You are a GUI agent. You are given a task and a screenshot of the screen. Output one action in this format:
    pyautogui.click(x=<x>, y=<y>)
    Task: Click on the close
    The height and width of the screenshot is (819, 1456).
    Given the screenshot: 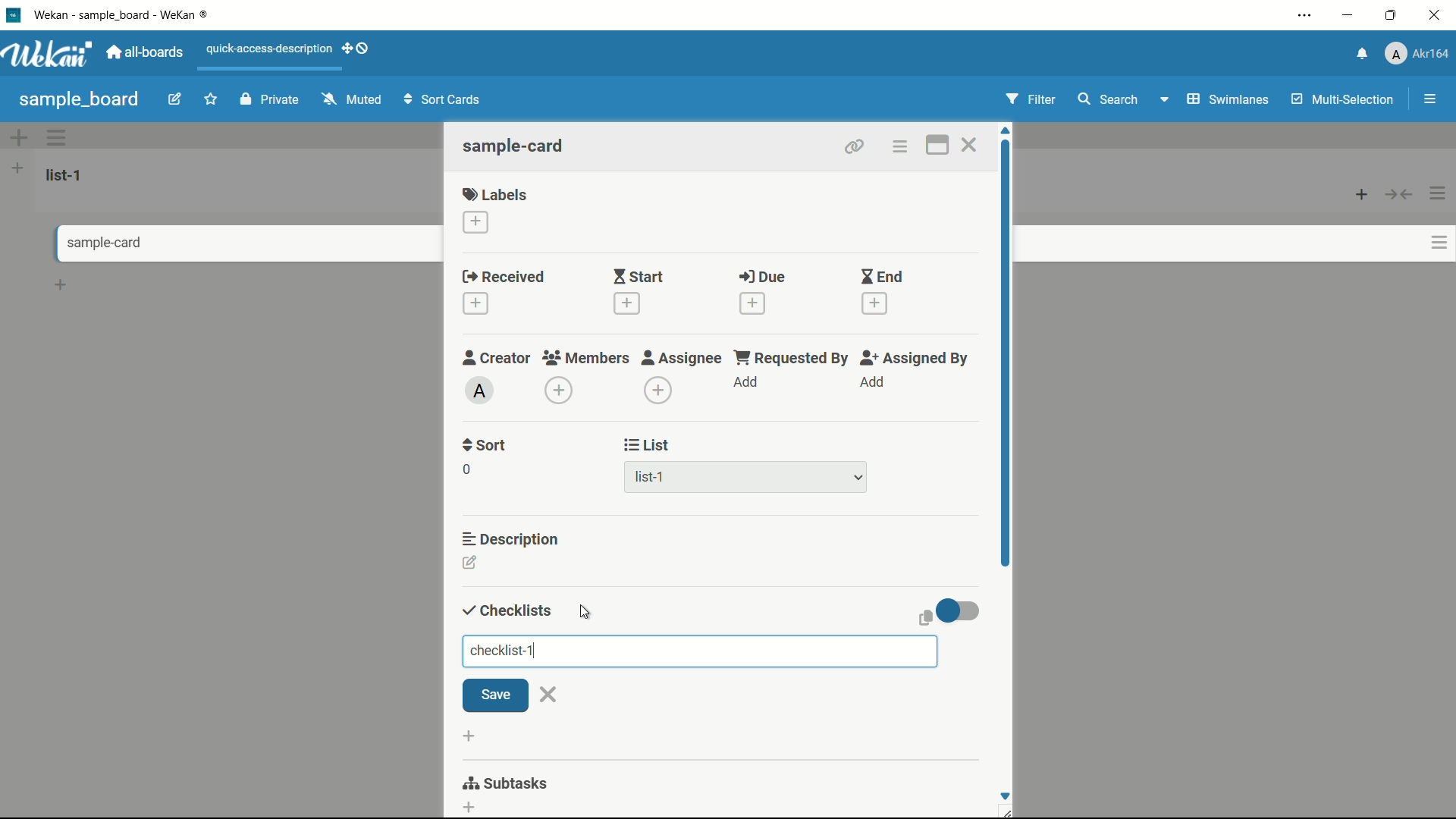 What is the action you would take?
    pyautogui.click(x=550, y=694)
    